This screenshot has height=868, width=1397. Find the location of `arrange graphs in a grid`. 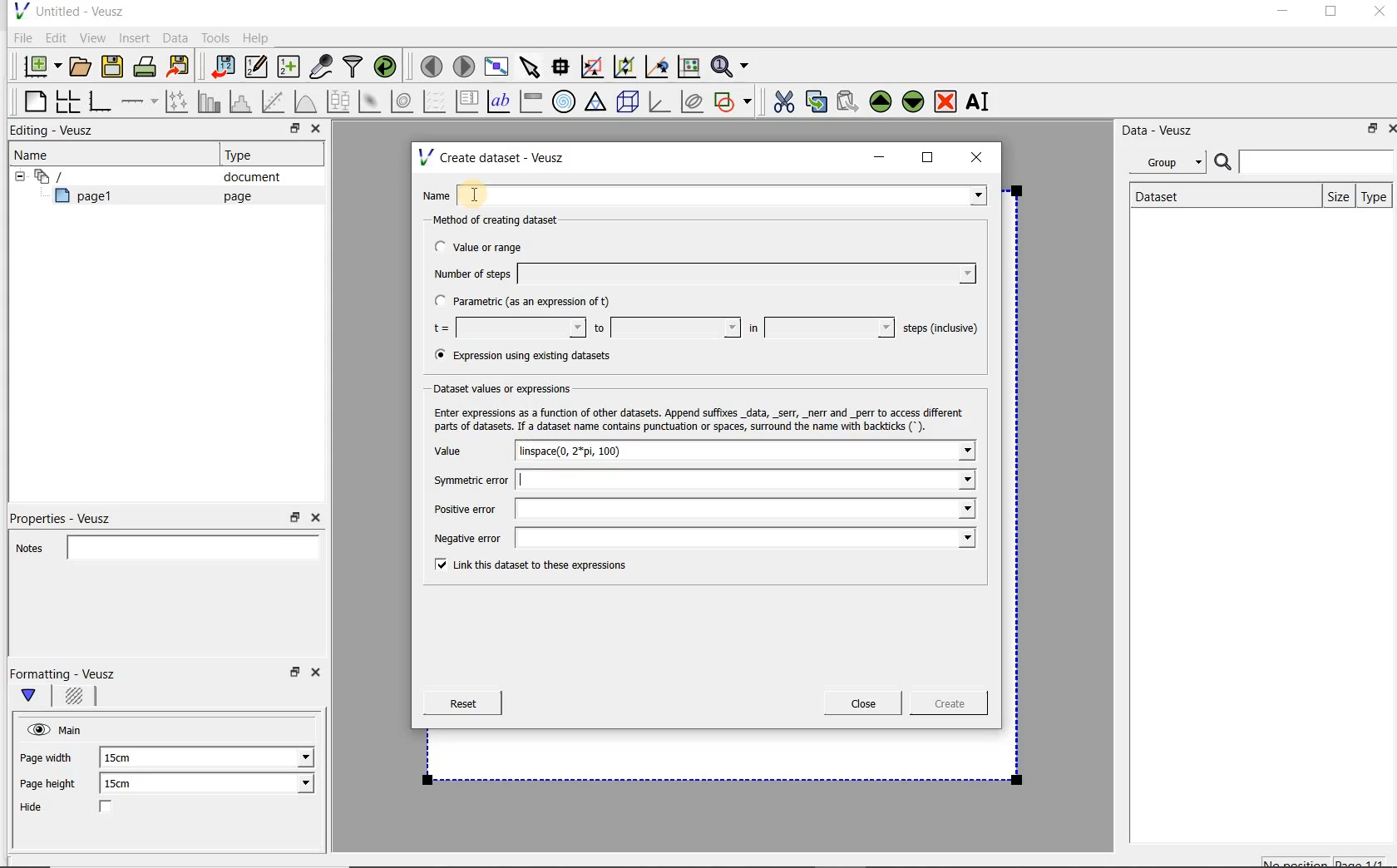

arrange graphs in a grid is located at coordinates (67, 101).